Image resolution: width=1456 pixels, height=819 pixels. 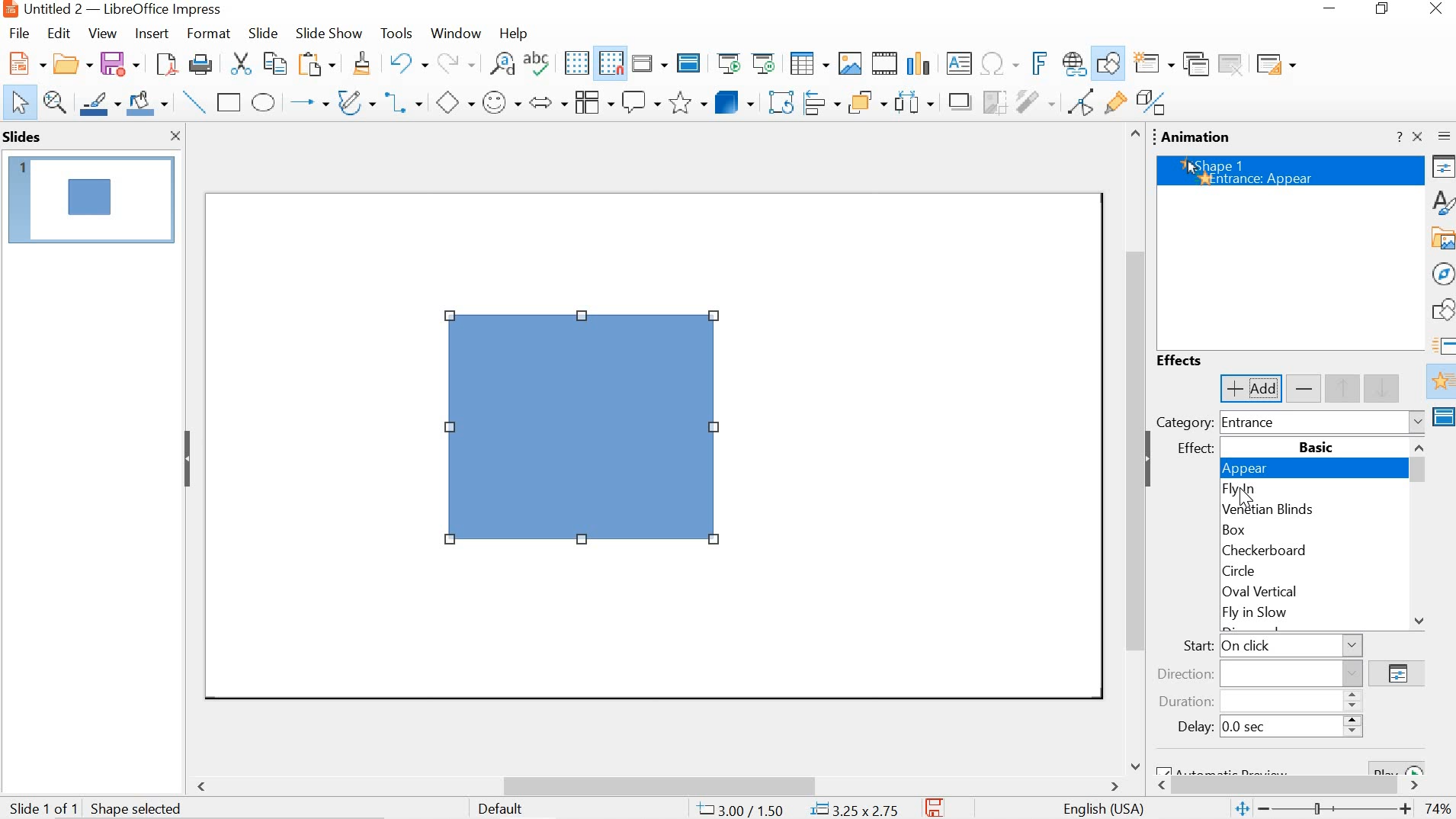 I want to click on connectors, so click(x=402, y=99).